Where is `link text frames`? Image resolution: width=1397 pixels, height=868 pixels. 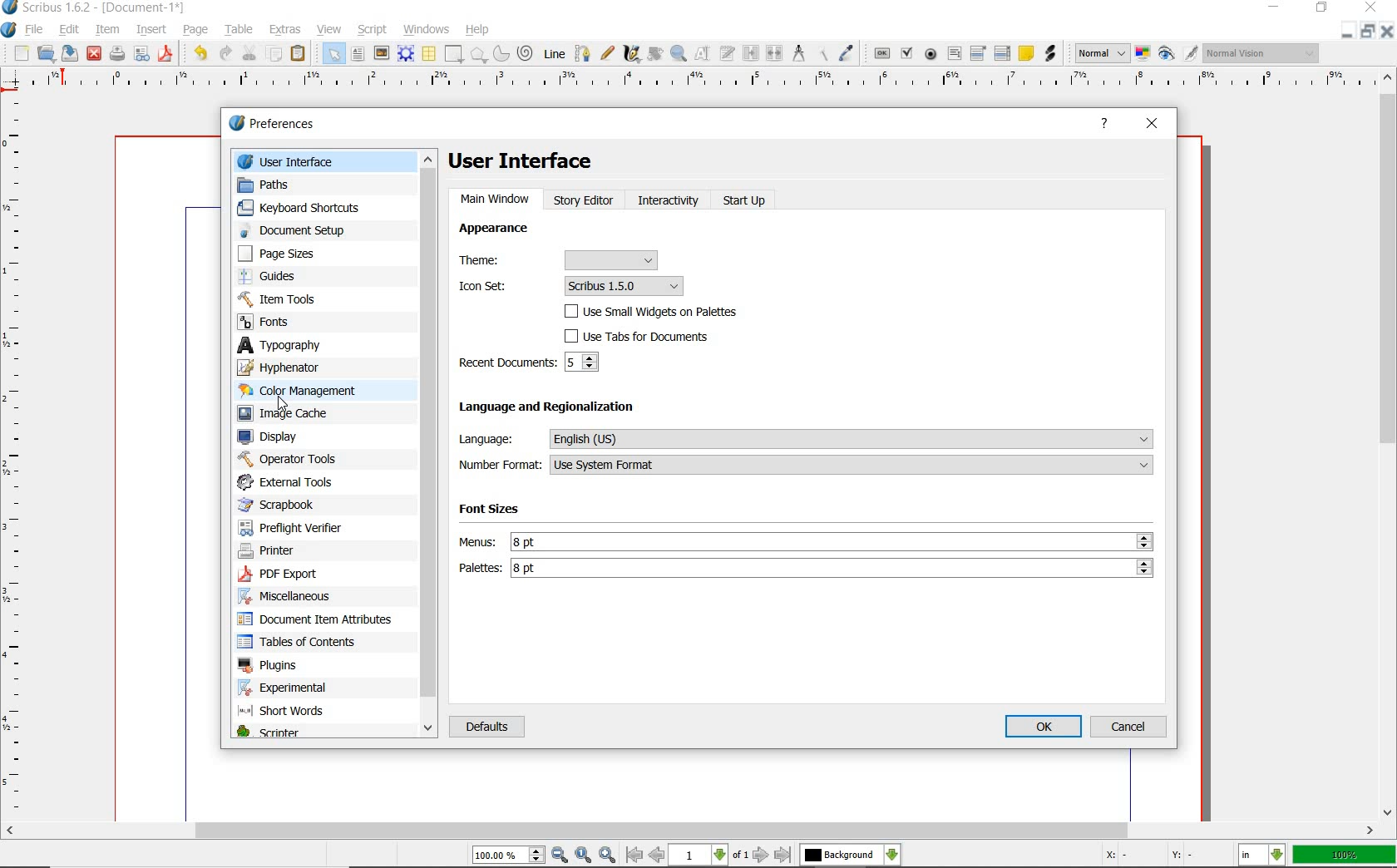
link text frames is located at coordinates (748, 55).